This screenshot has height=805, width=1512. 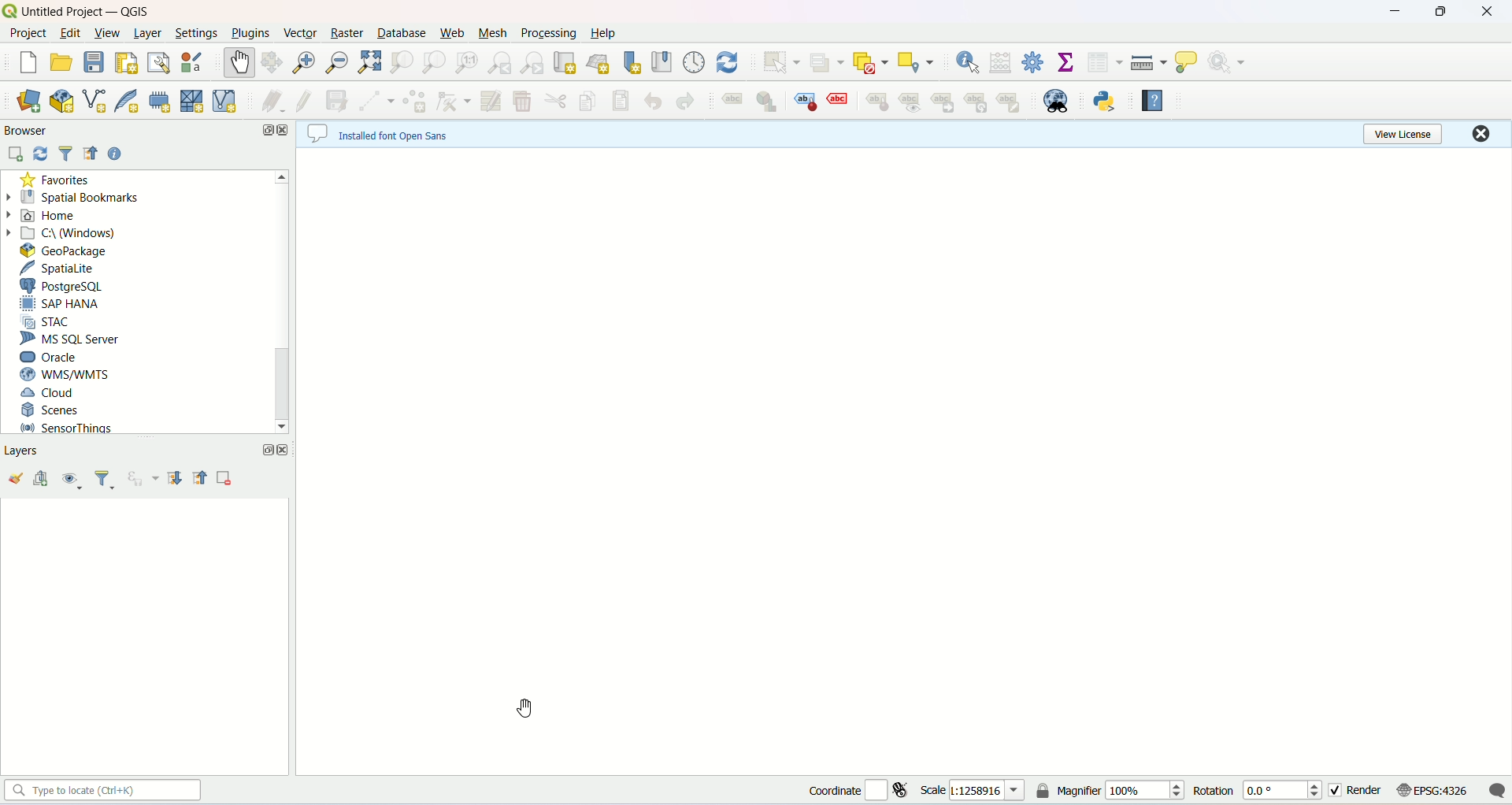 What do you see at coordinates (93, 61) in the screenshot?
I see `save project` at bounding box center [93, 61].